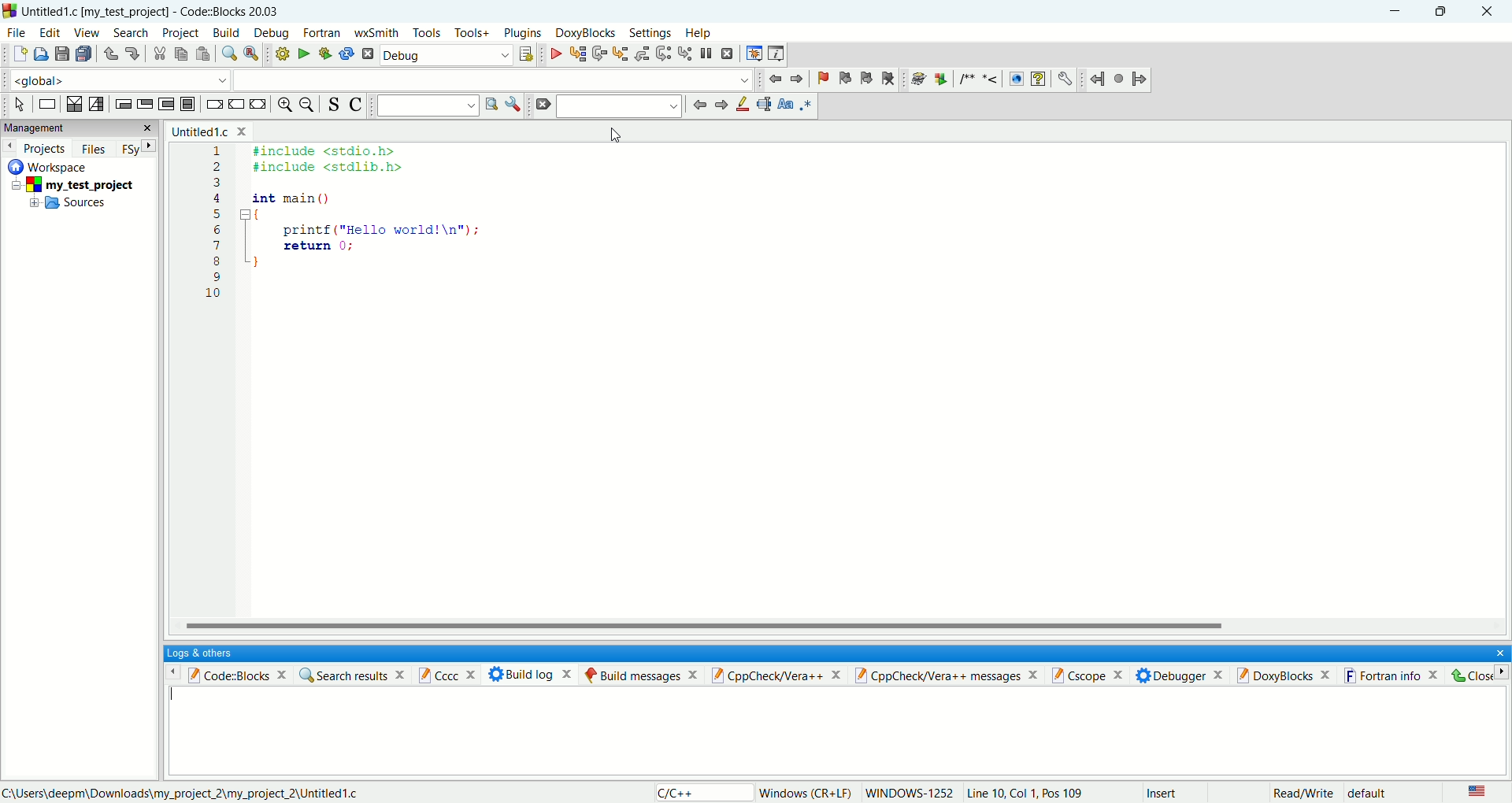 The image size is (1512, 803). I want to click on line, col, so click(1025, 794).